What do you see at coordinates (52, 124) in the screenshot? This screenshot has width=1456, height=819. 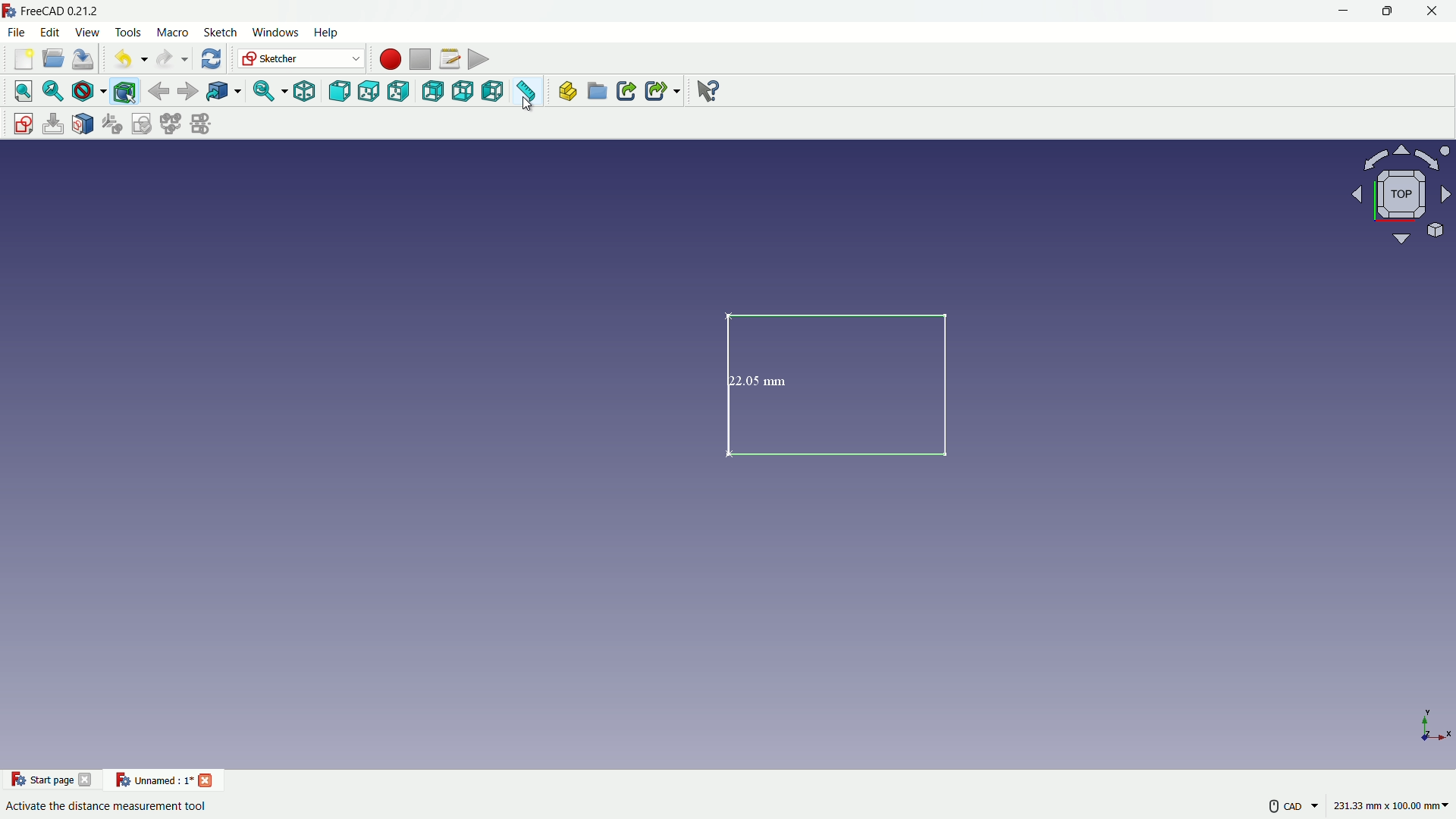 I see `edit sketch` at bounding box center [52, 124].